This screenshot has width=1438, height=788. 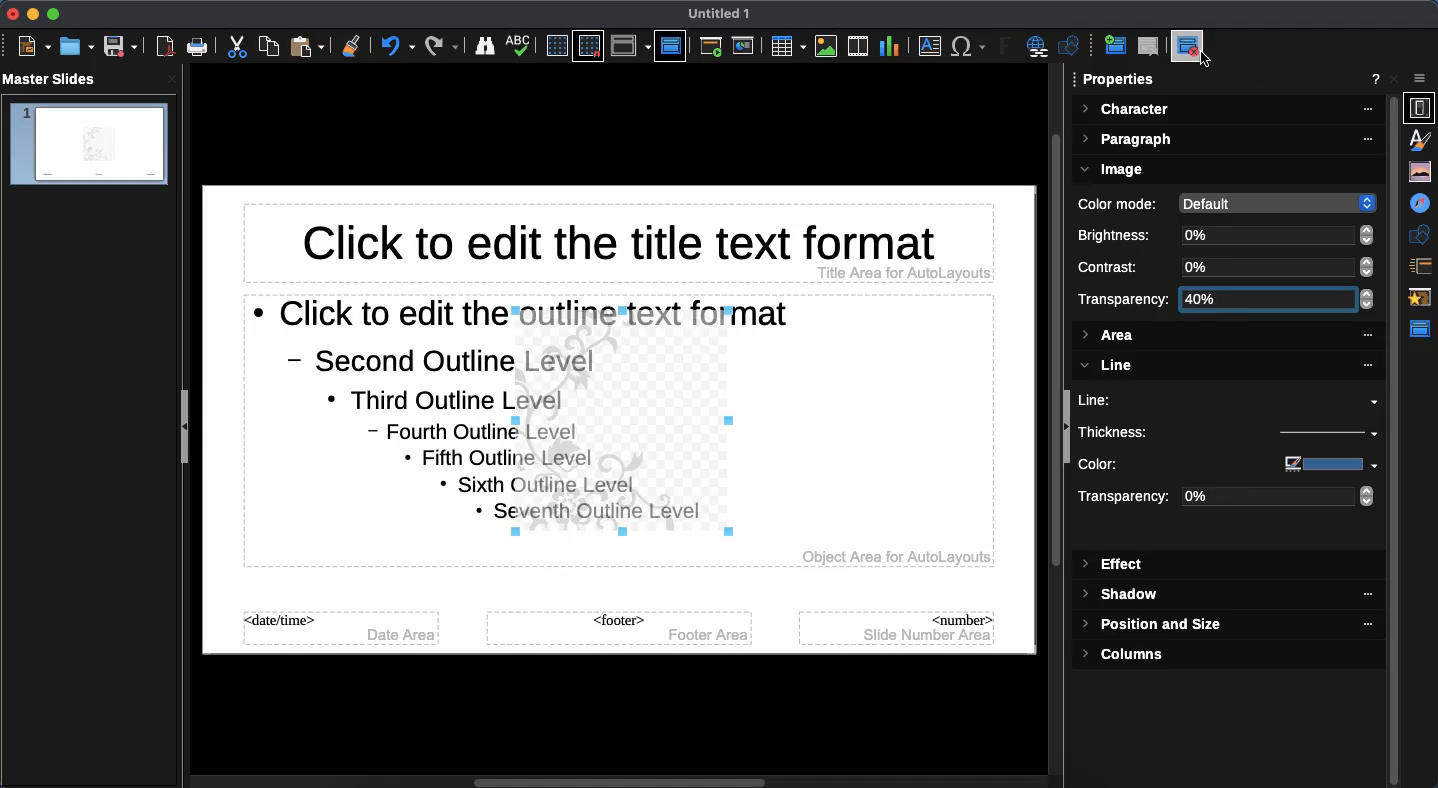 I want to click on collapse, so click(x=1067, y=429).